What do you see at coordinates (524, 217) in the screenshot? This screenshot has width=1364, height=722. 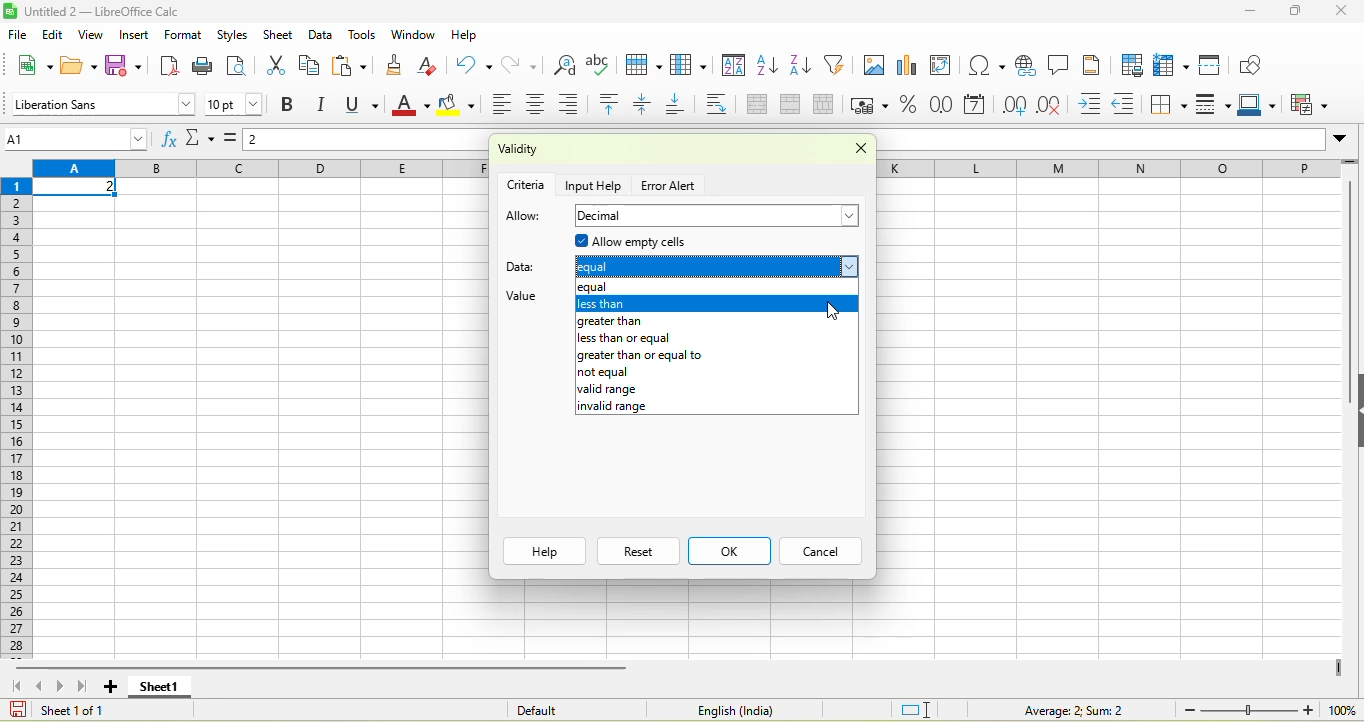 I see `allow` at bounding box center [524, 217].